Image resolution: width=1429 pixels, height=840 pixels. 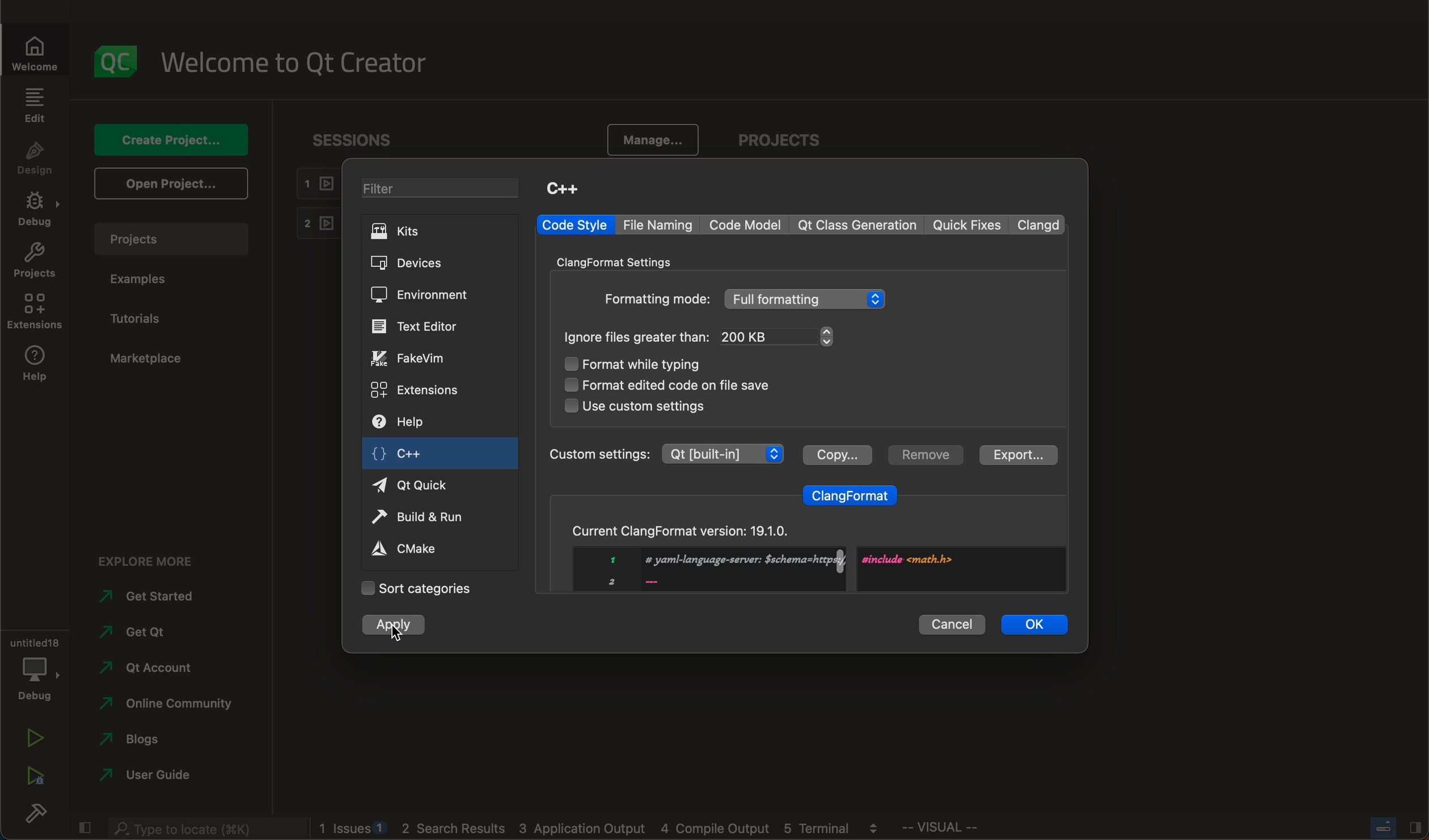 What do you see at coordinates (656, 299) in the screenshot?
I see `` at bounding box center [656, 299].